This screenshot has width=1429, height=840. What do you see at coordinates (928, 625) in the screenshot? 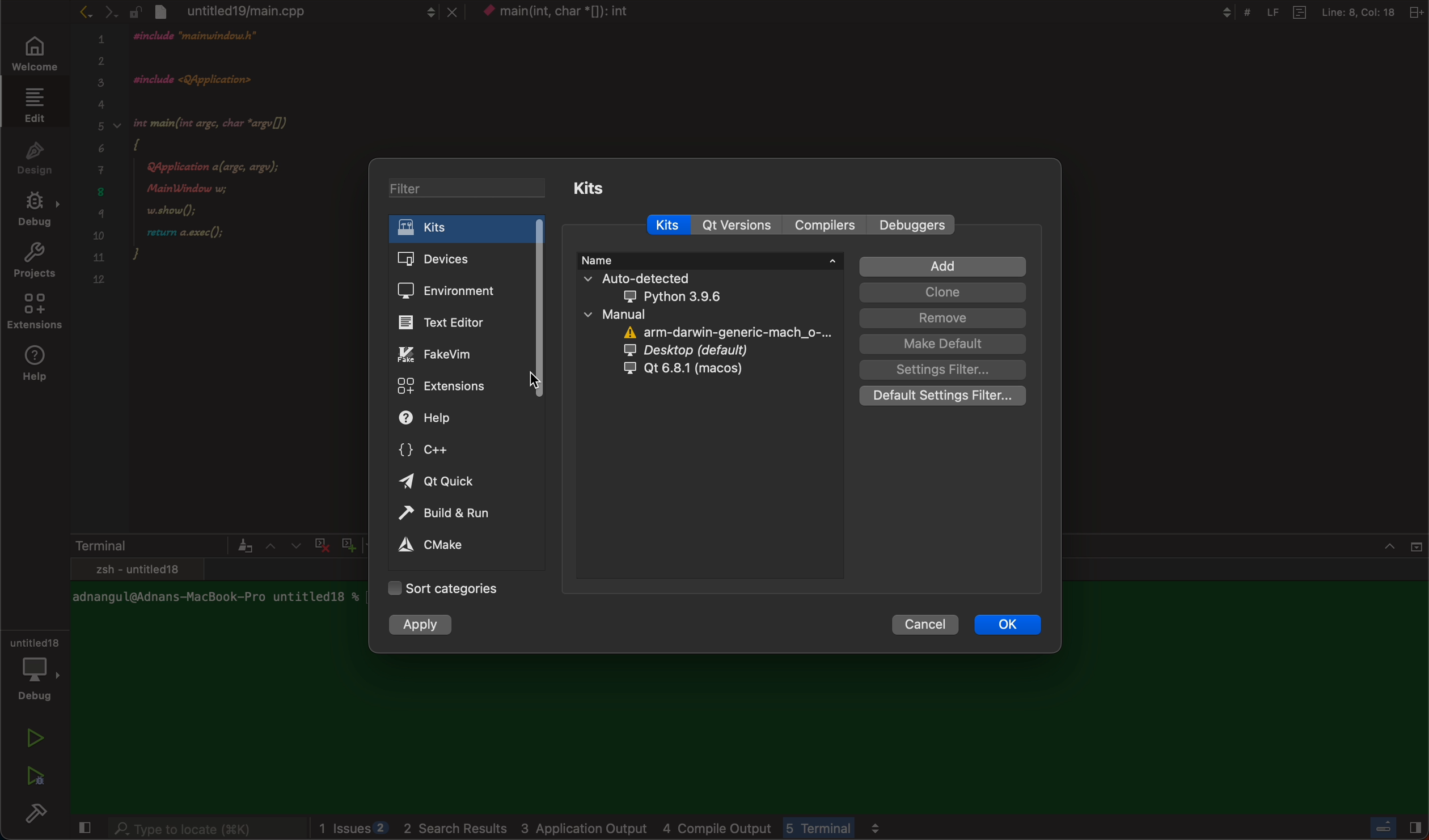
I see `cancel` at bounding box center [928, 625].